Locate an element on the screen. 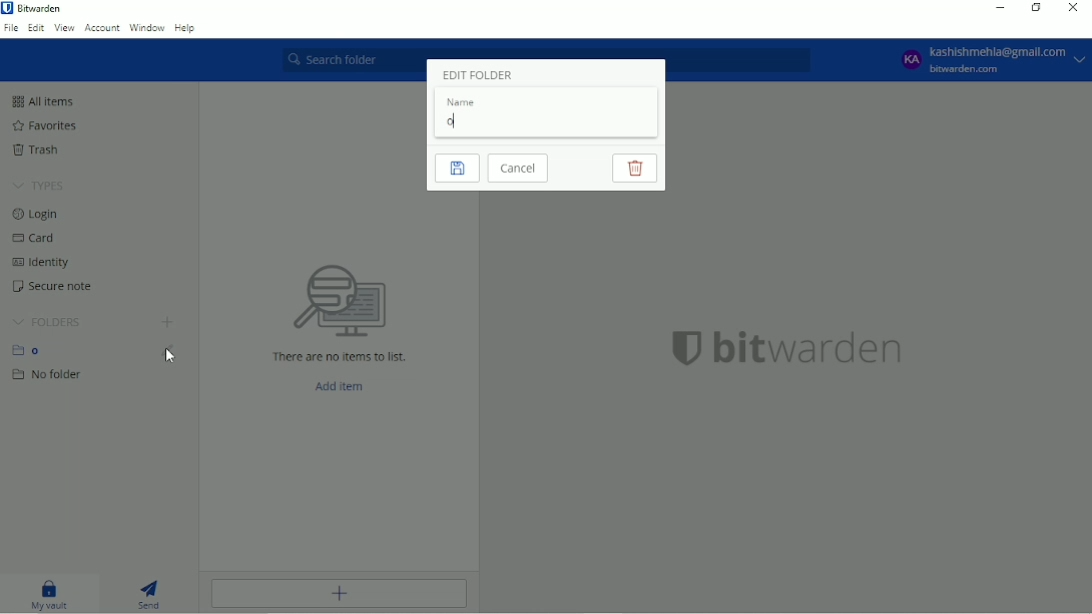 The image size is (1092, 614). Add item is located at coordinates (338, 594).